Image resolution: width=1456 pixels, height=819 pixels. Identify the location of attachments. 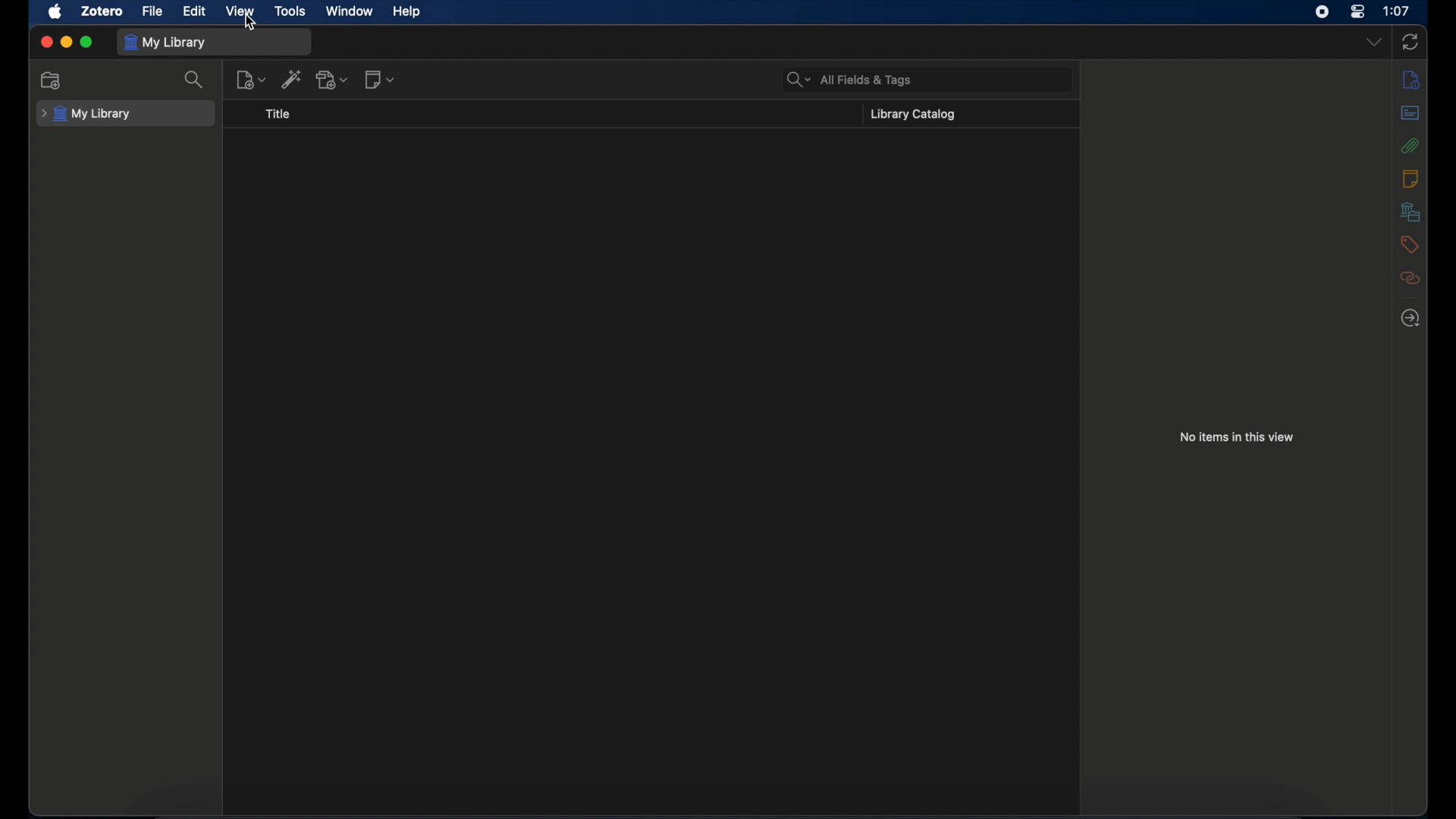
(1410, 146).